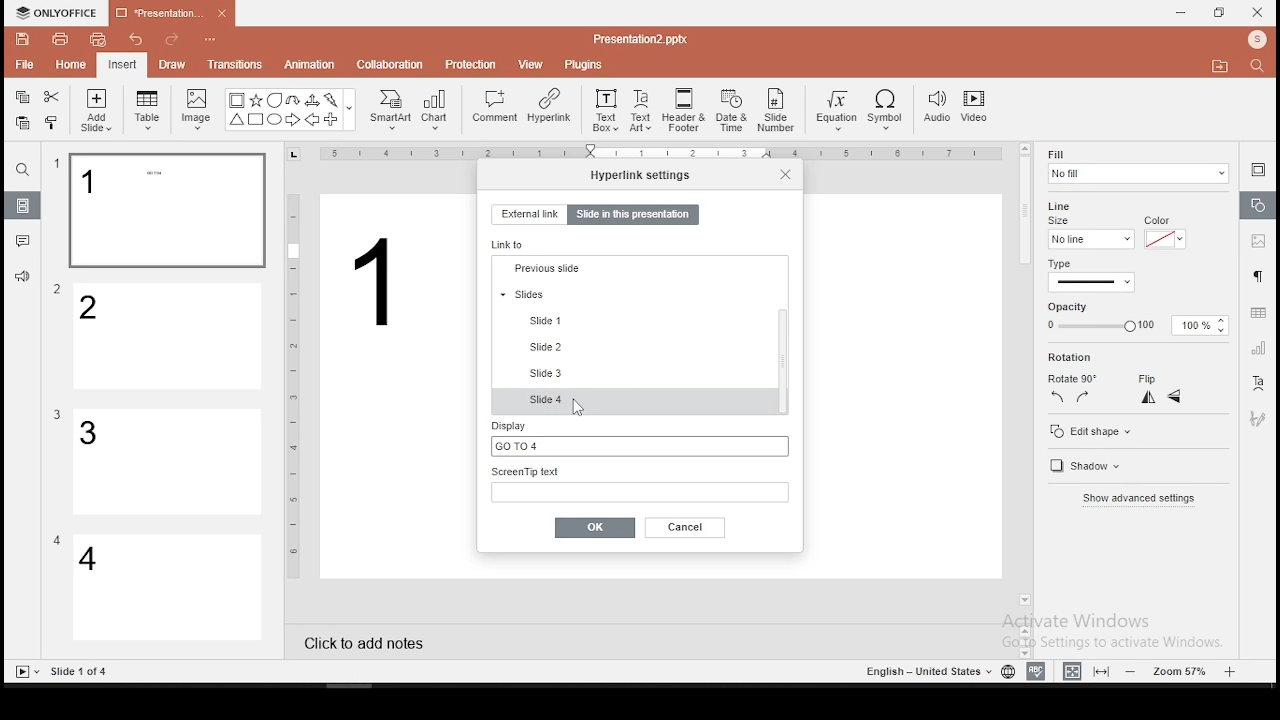 This screenshot has height=720, width=1280. What do you see at coordinates (632, 269) in the screenshot?
I see `first slide` at bounding box center [632, 269].